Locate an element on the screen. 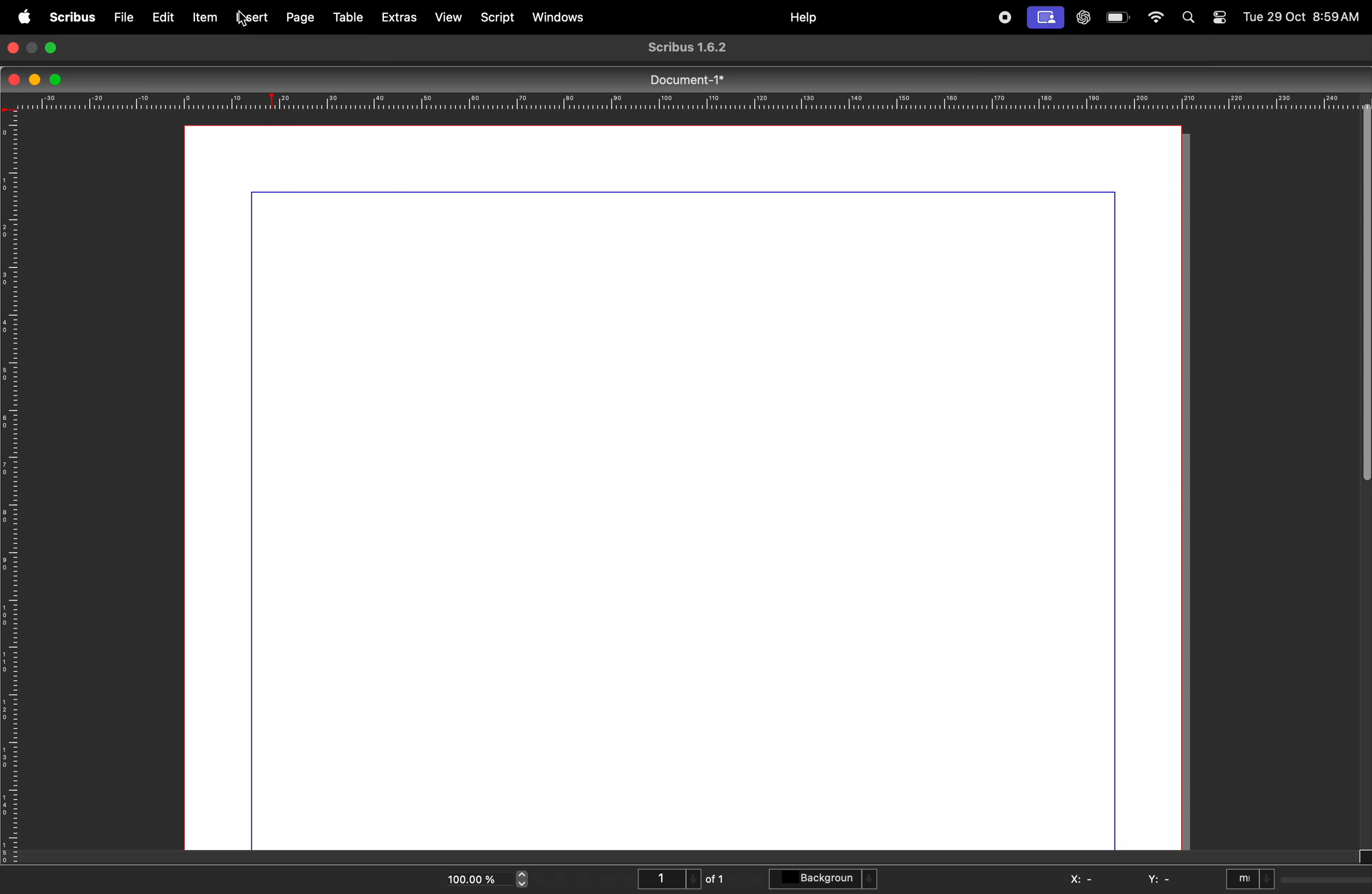 Image resolution: width=1372 pixels, height=894 pixels. table is located at coordinates (346, 14).